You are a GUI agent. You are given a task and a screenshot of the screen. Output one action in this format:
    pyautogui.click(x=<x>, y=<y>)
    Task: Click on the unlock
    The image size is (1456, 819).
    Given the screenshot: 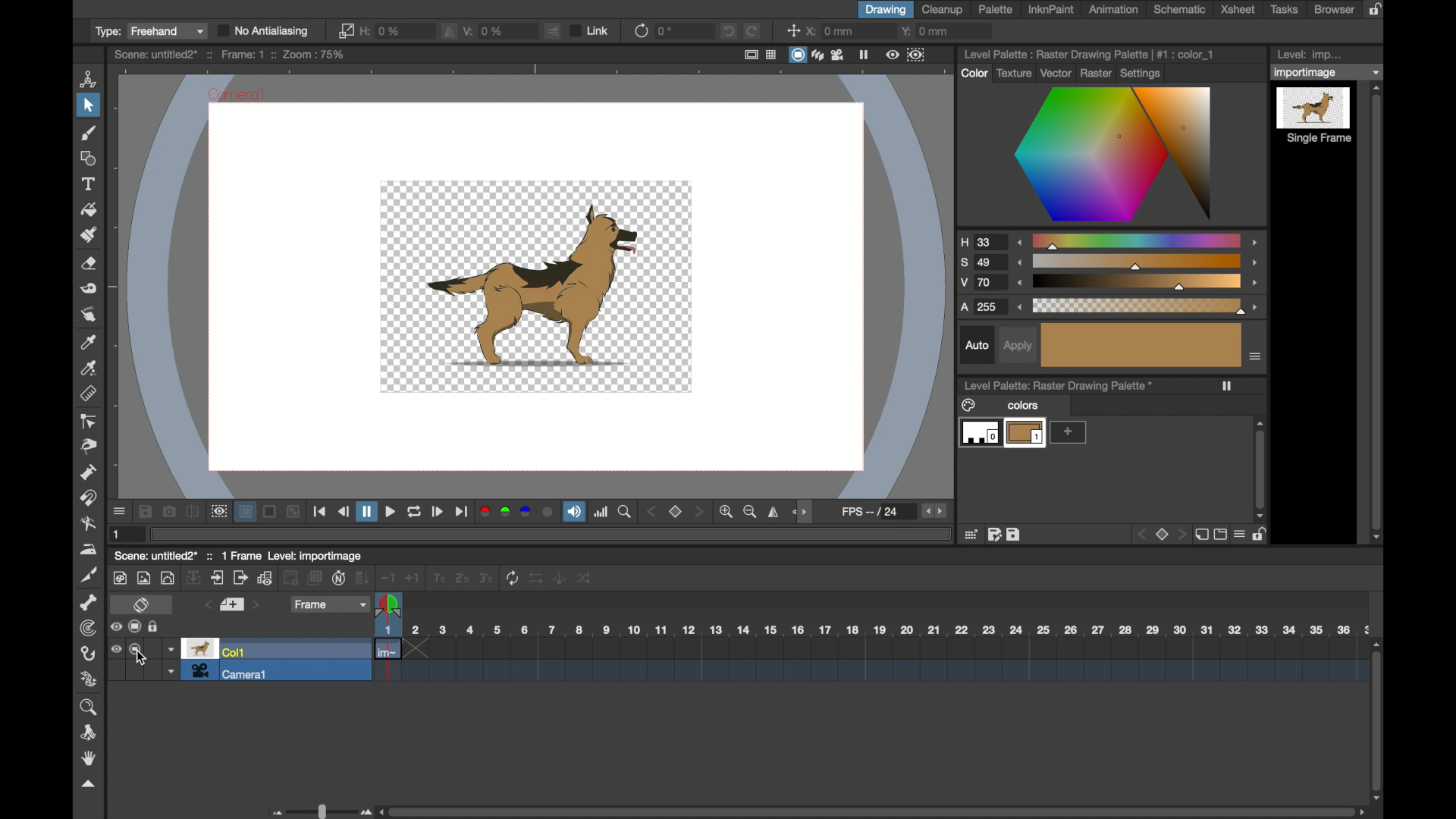 What is the action you would take?
    pyautogui.click(x=156, y=626)
    